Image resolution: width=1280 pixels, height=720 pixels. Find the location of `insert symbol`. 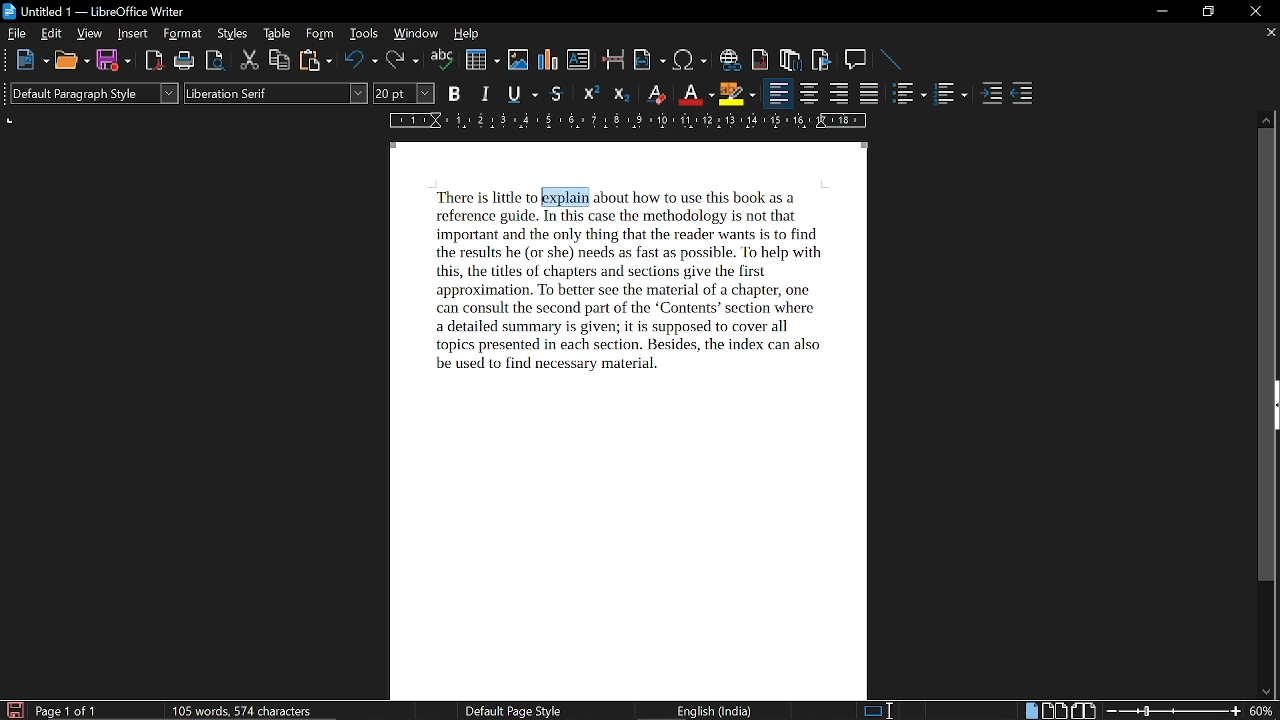

insert symbol is located at coordinates (690, 60).